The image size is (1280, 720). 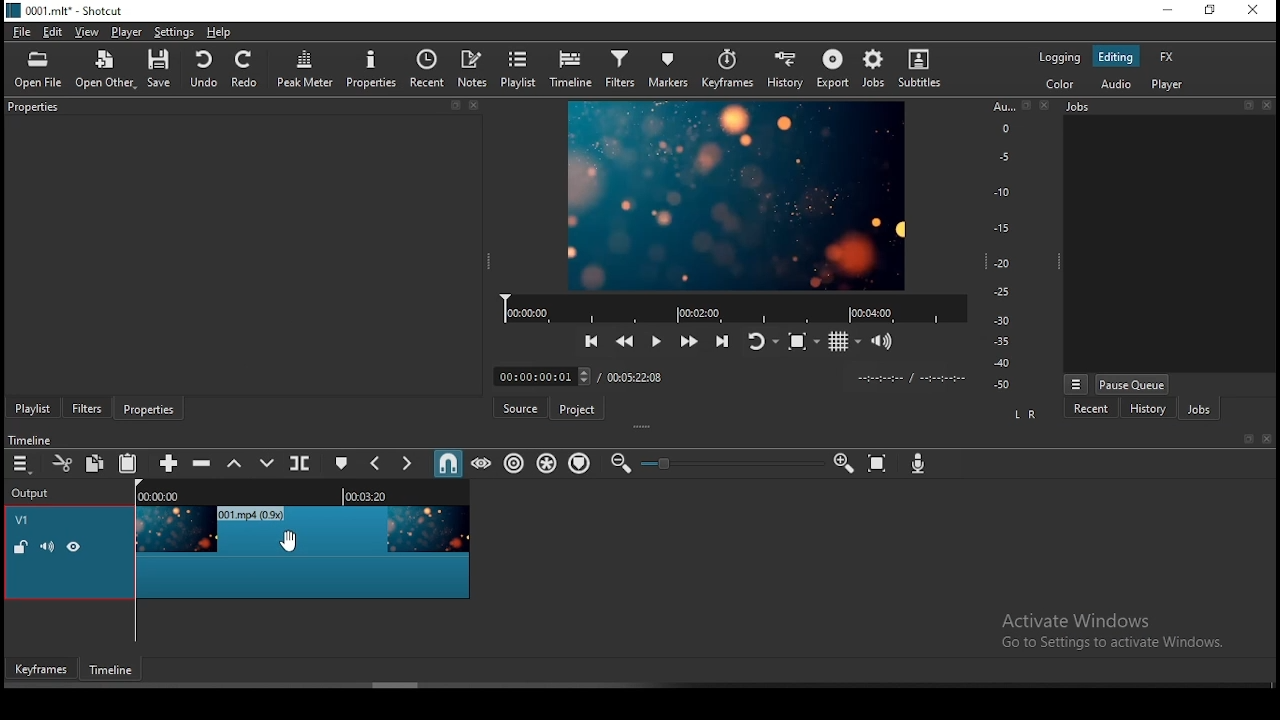 I want to click on split at playhead, so click(x=299, y=464).